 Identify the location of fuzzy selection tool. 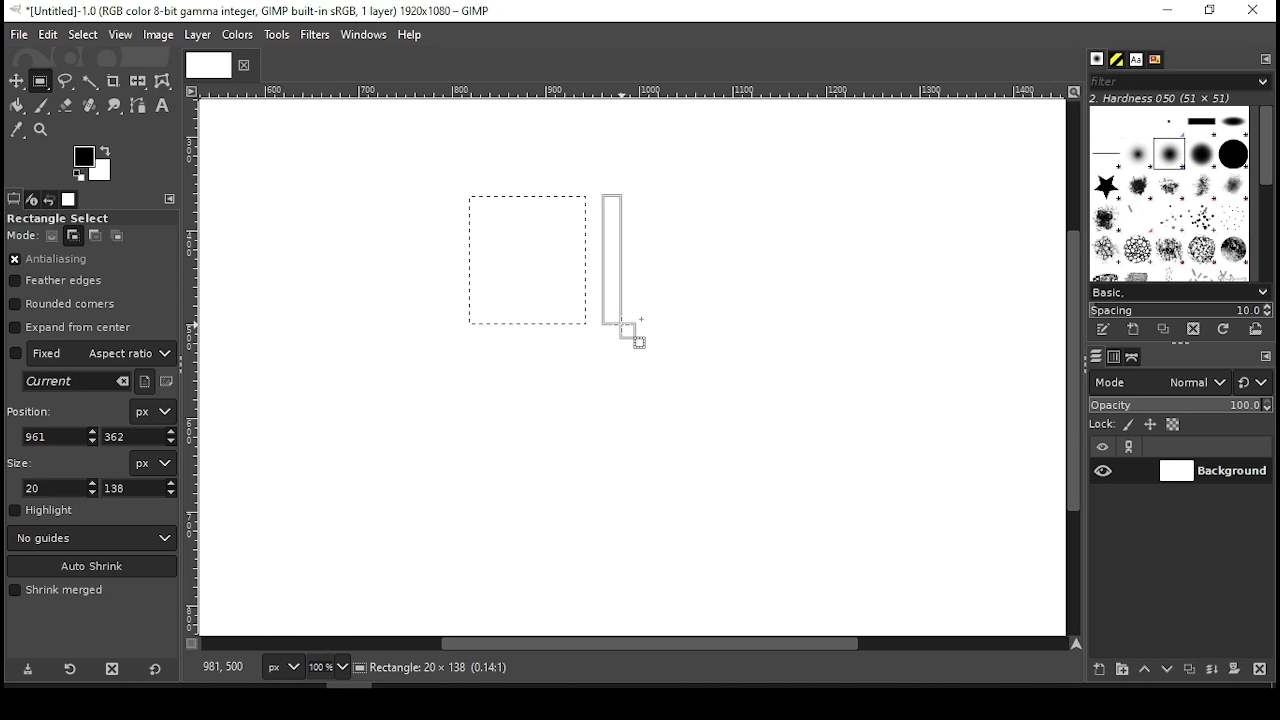
(91, 82).